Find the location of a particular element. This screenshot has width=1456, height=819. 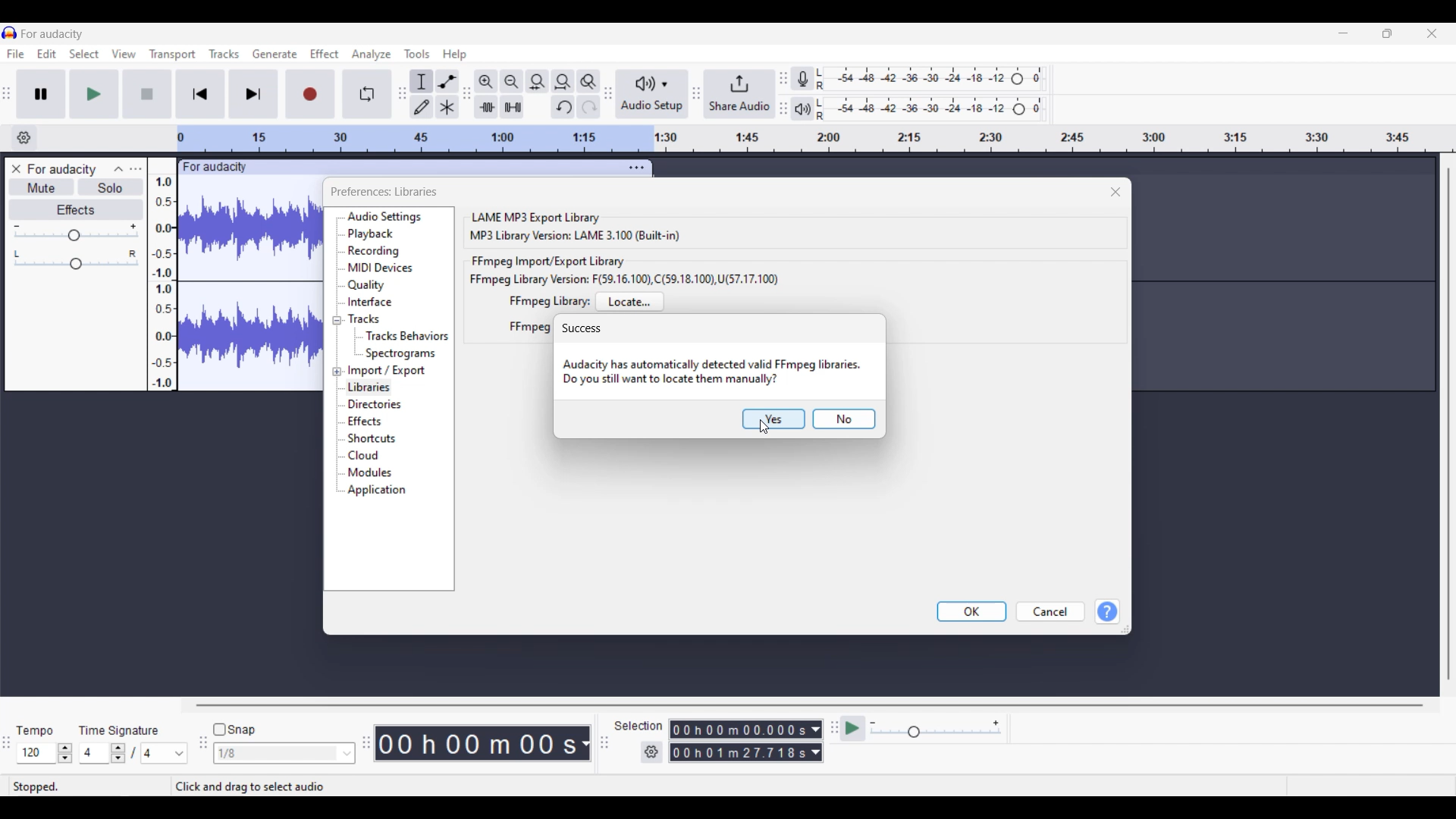

for audacity is located at coordinates (216, 168).